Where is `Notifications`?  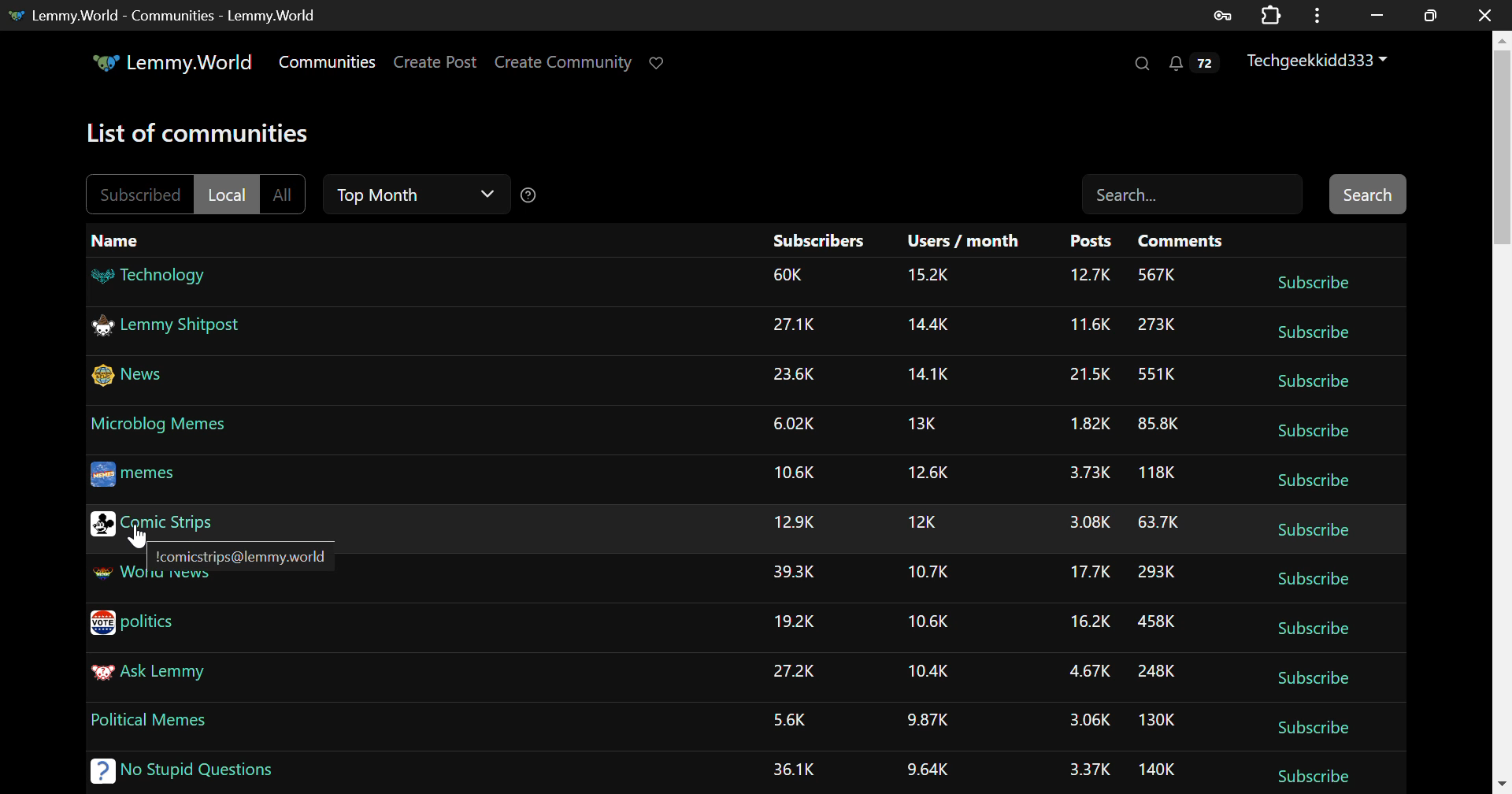 Notifications is located at coordinates (1192, 67).